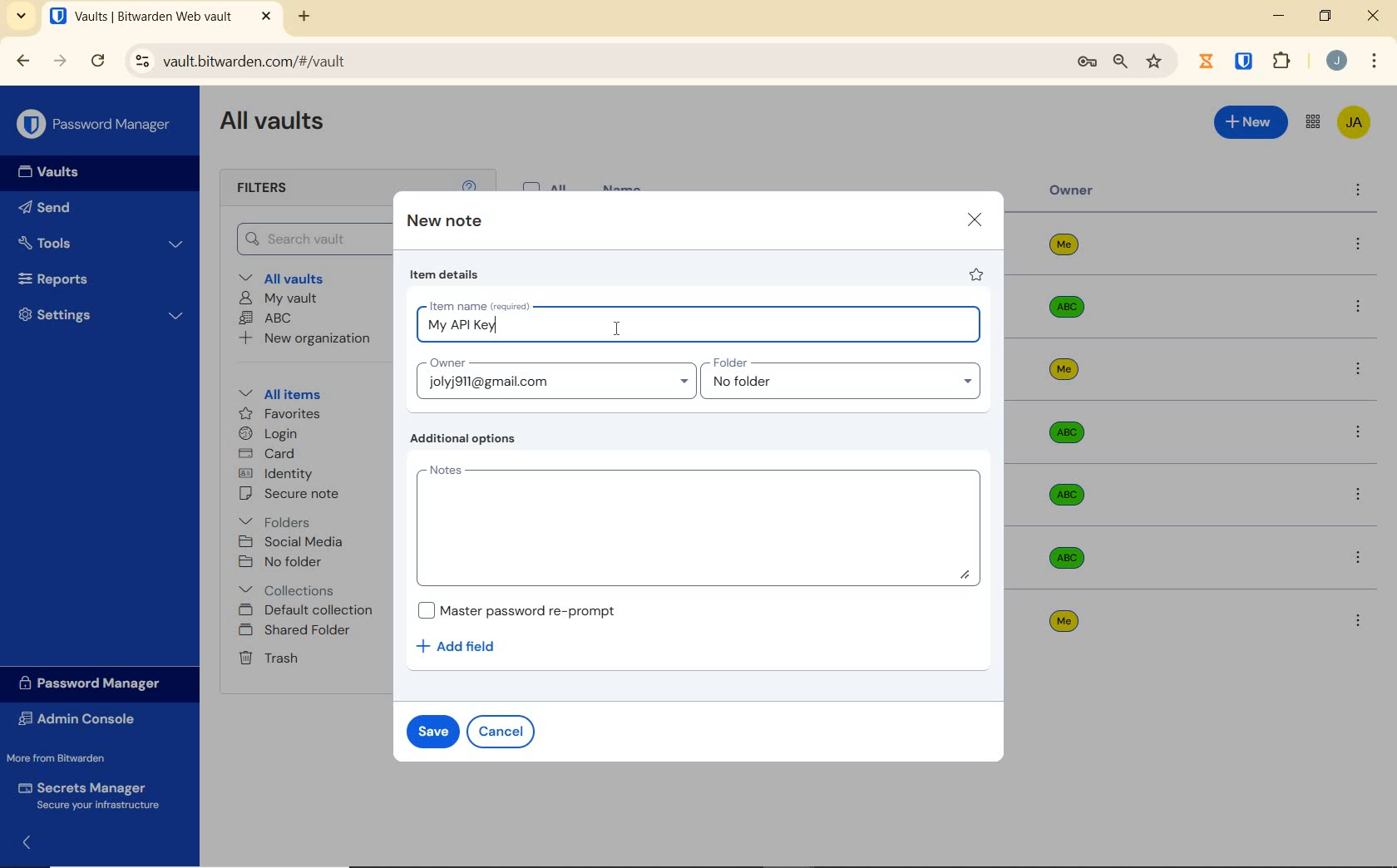  Describe the element at coordinates (102, 318) in the screenshot. I see `Settings` at that location.